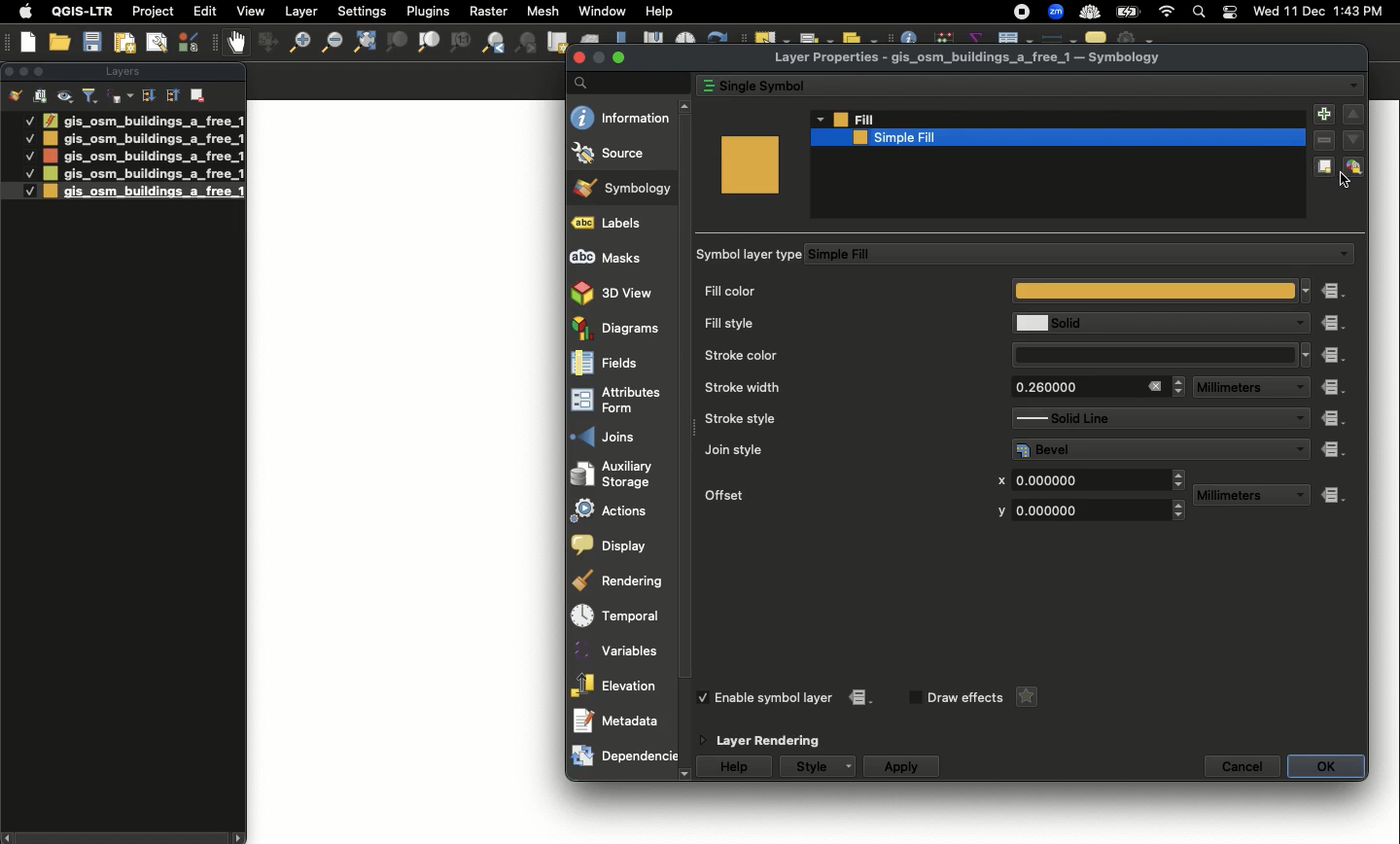 The image size is (1400, 844). I want to click on Settings, so click(364, 12).